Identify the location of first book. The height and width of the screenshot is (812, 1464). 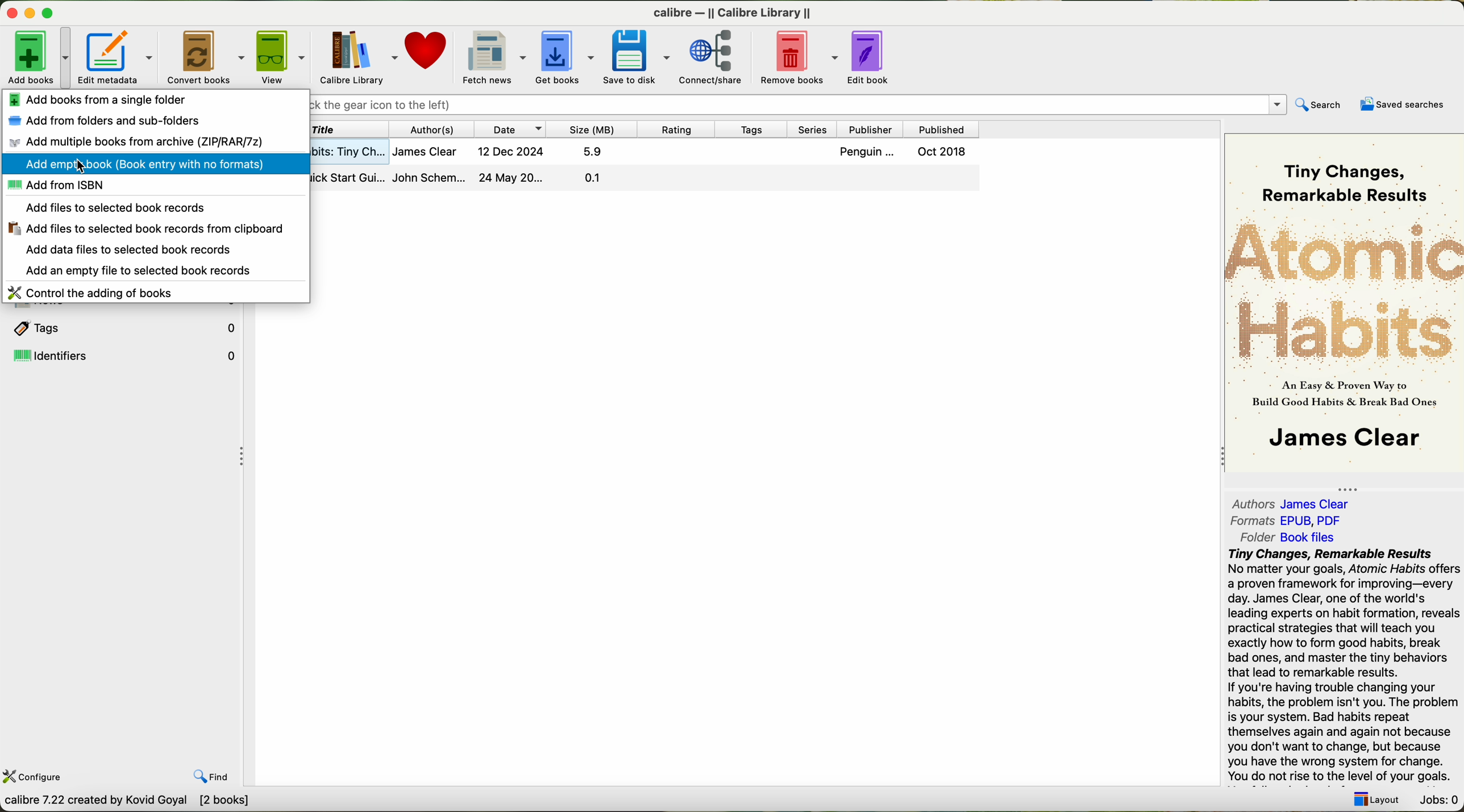
(648, 154).